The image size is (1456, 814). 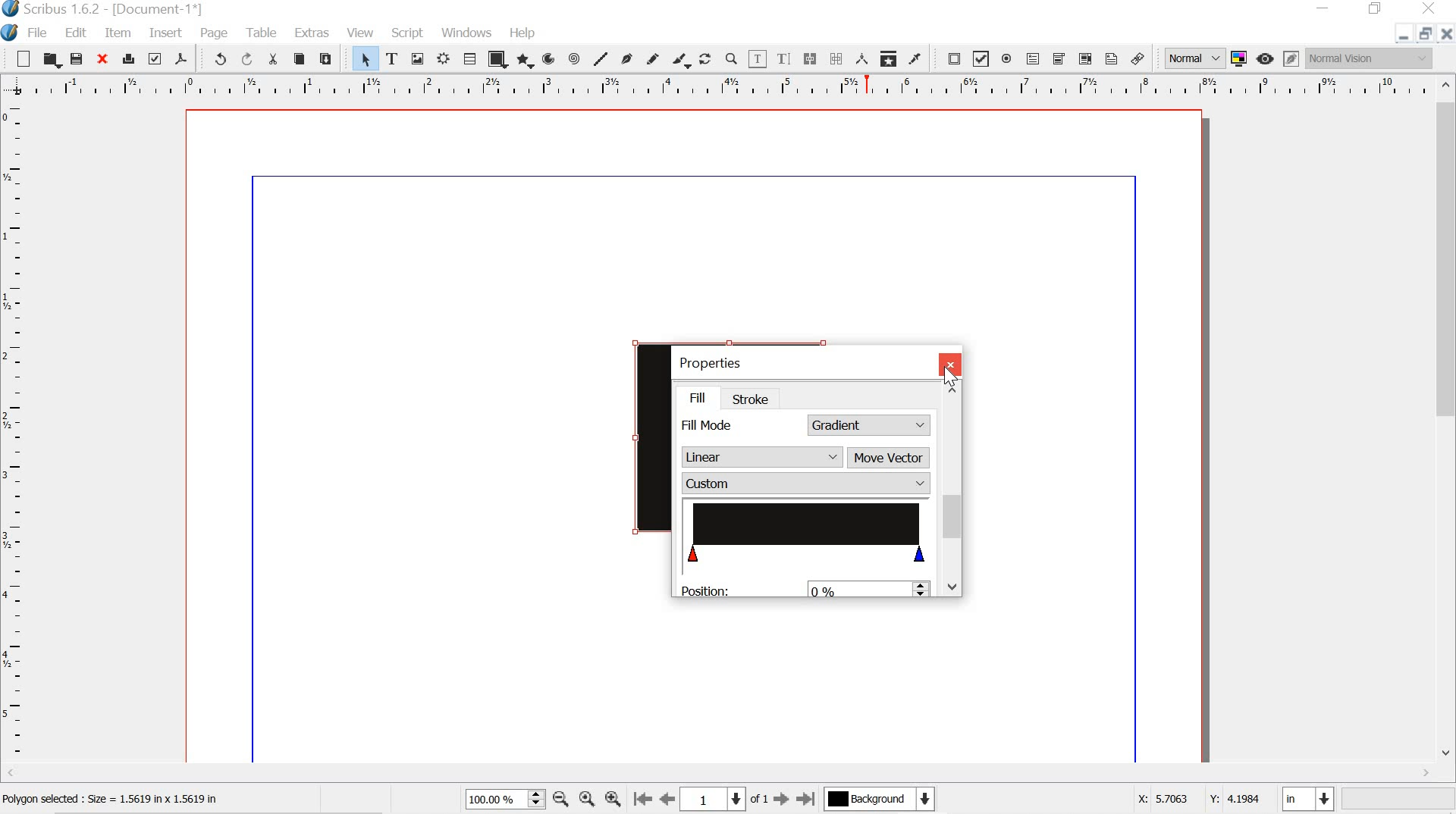 What do you see at coordinates (981, 58) in the screenshot?
I see `pdf check box` at bounding box center [981, 58].